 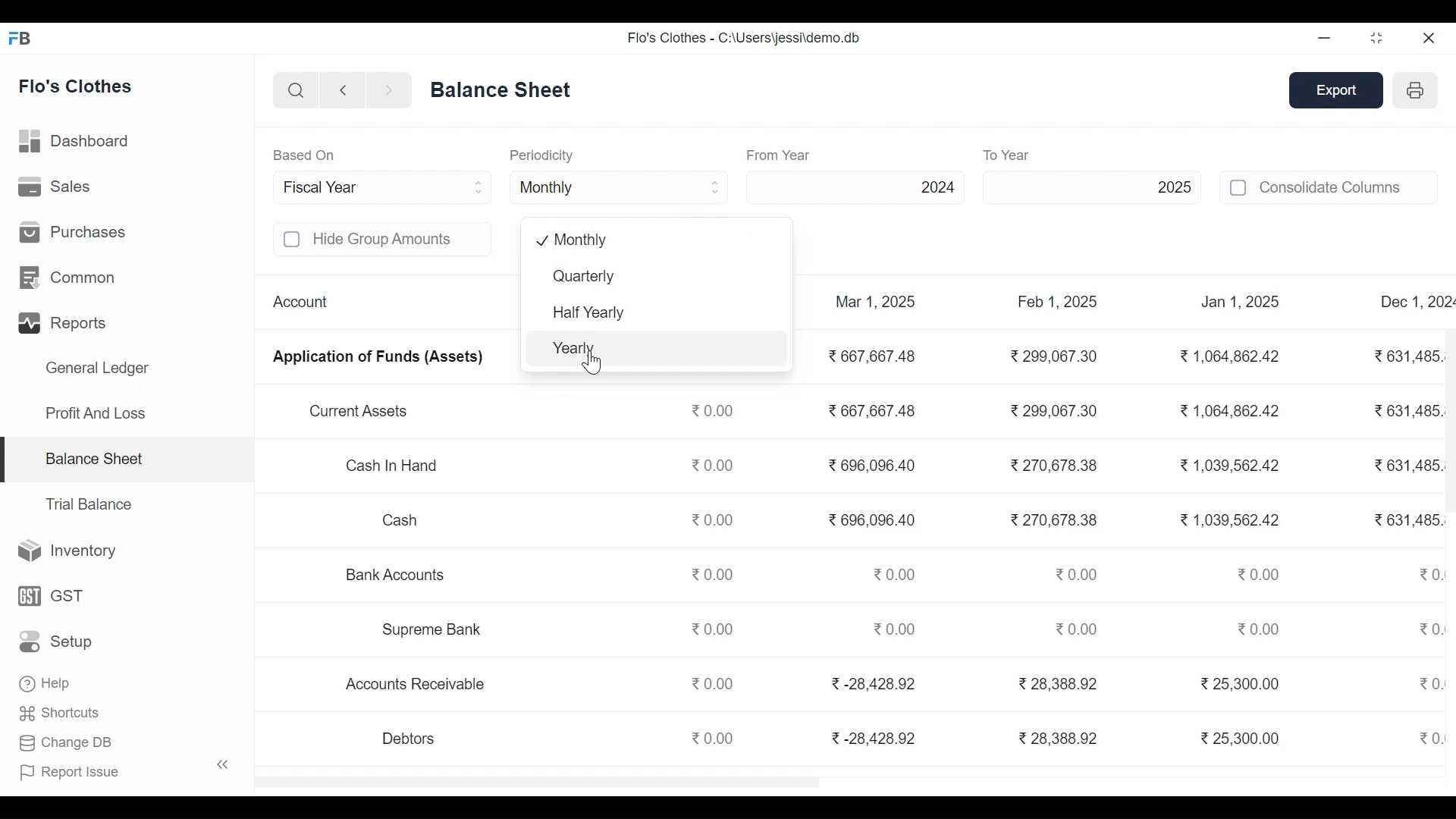 I want to click on search, so click(x=297, y=92).